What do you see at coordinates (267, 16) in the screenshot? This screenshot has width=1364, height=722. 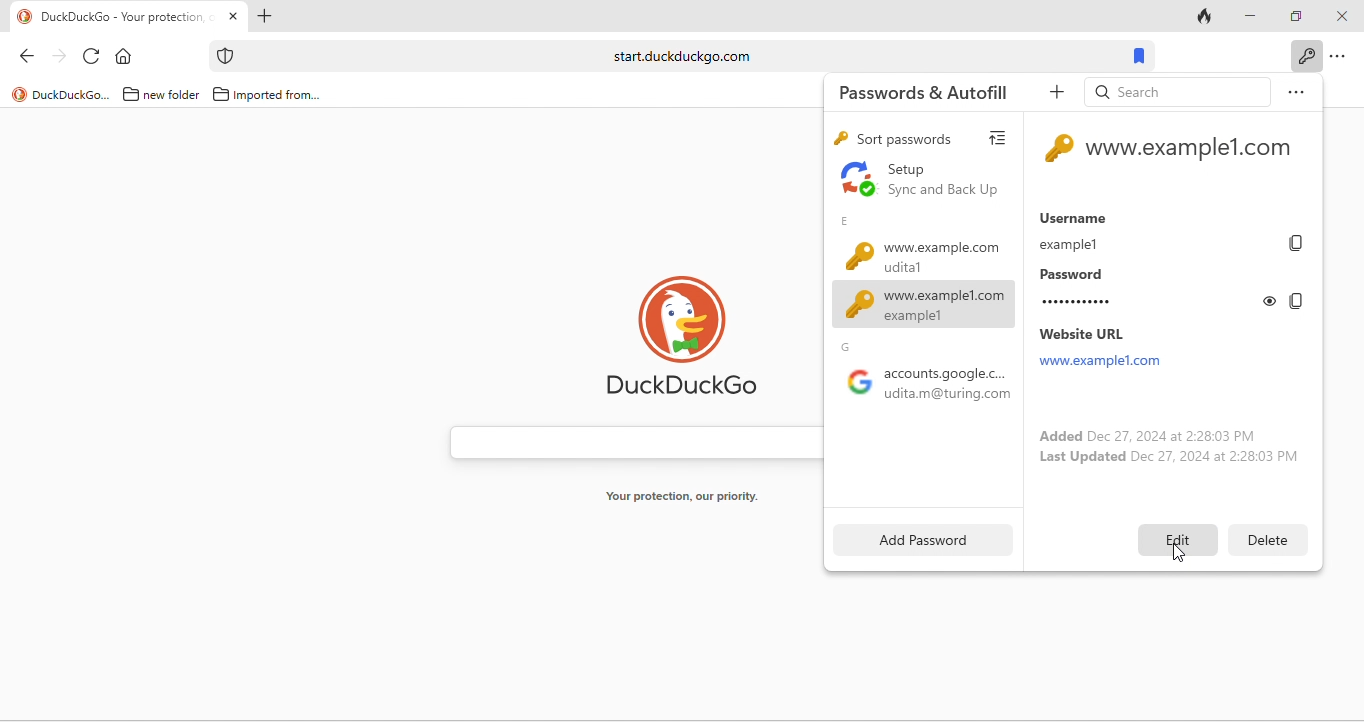 I see `add new tab` at bounding box center [267, 16].